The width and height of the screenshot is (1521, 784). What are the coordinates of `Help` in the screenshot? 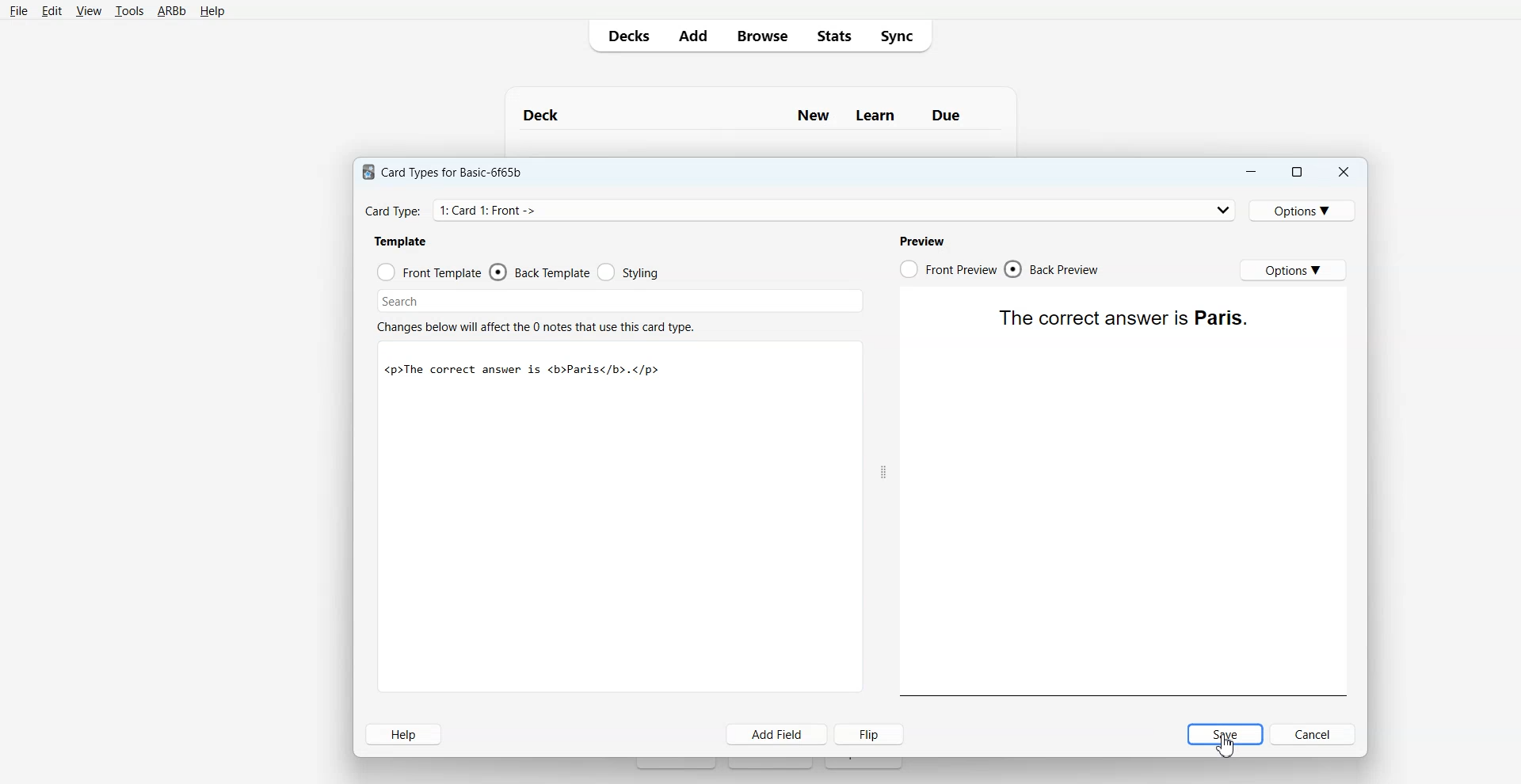 It's located at (404, 734).